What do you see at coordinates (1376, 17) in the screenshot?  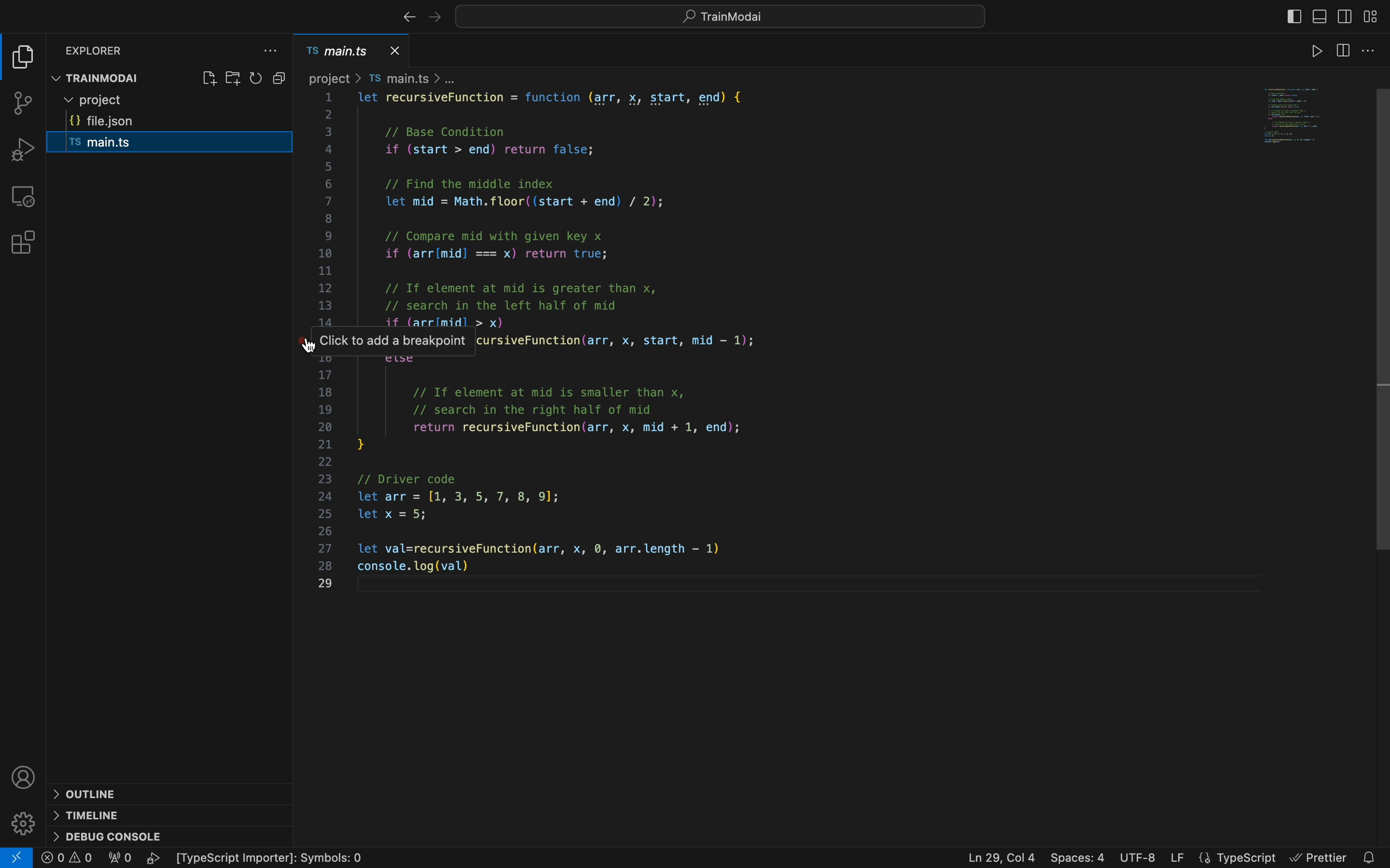 I see `layouts` at bounding box center [1376, 17].